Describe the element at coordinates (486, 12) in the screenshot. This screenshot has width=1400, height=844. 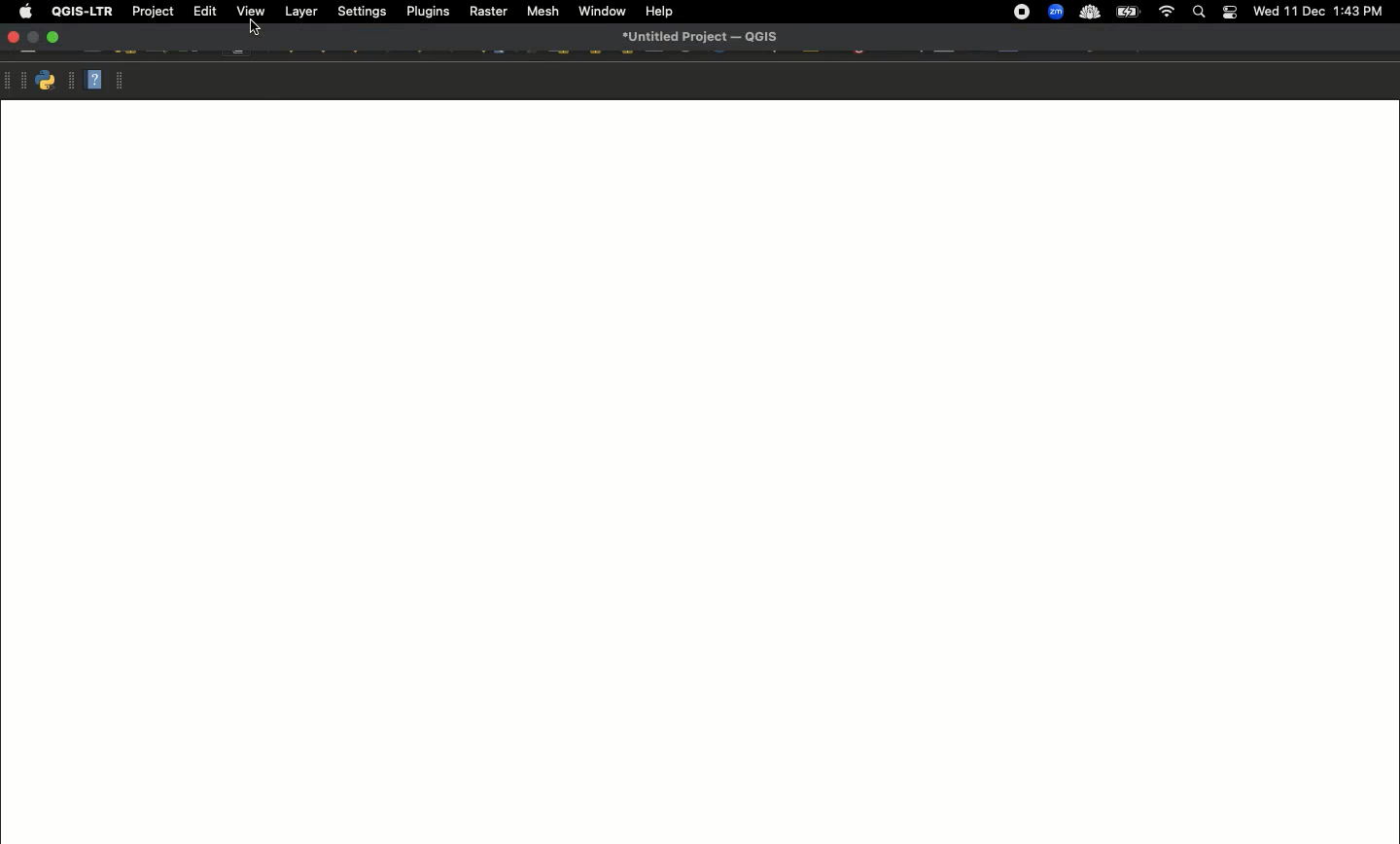
I see `Raster` at that location.